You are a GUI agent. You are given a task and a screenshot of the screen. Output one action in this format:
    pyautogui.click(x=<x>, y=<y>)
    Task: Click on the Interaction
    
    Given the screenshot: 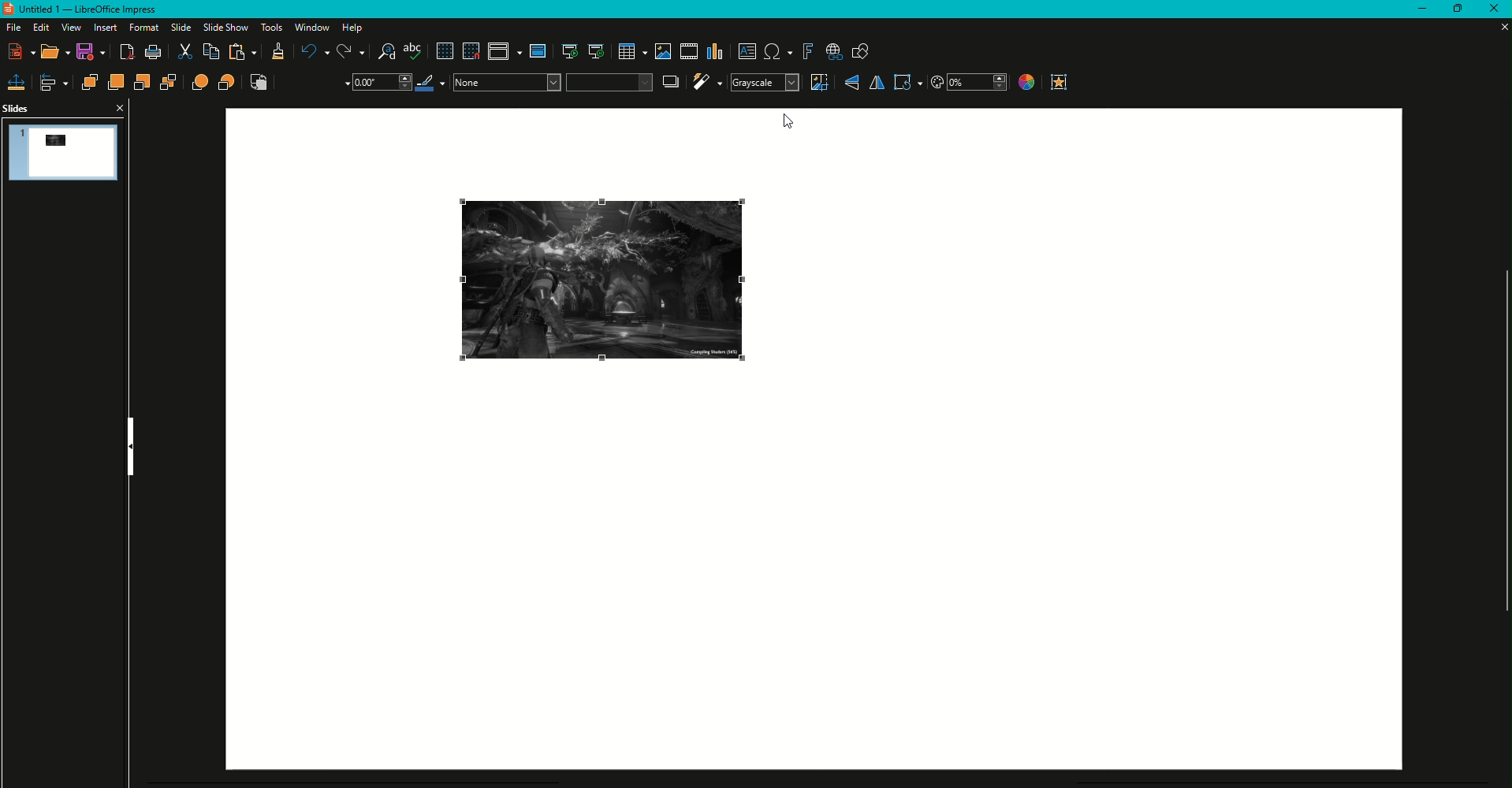 What is the action you would take?
    pyautogui.click(x=1060, y=82)
    